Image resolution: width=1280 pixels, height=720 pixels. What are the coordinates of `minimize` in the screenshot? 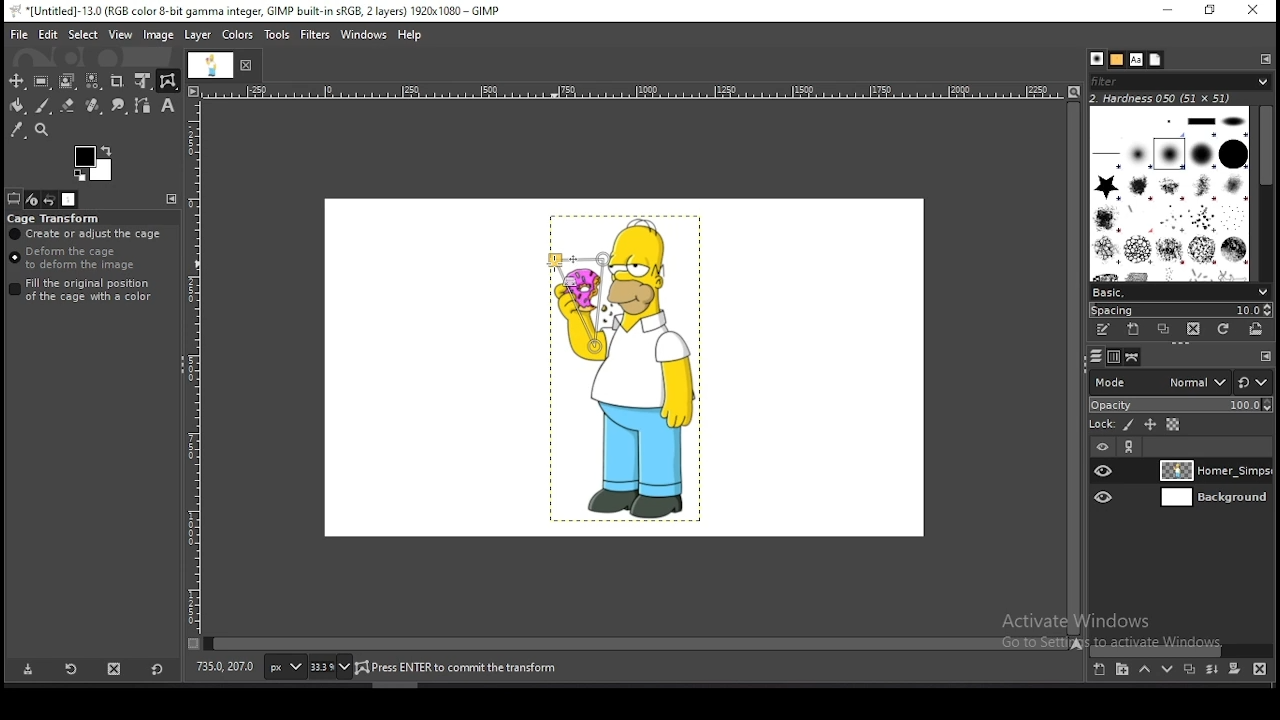 It's located at (1168, 11).